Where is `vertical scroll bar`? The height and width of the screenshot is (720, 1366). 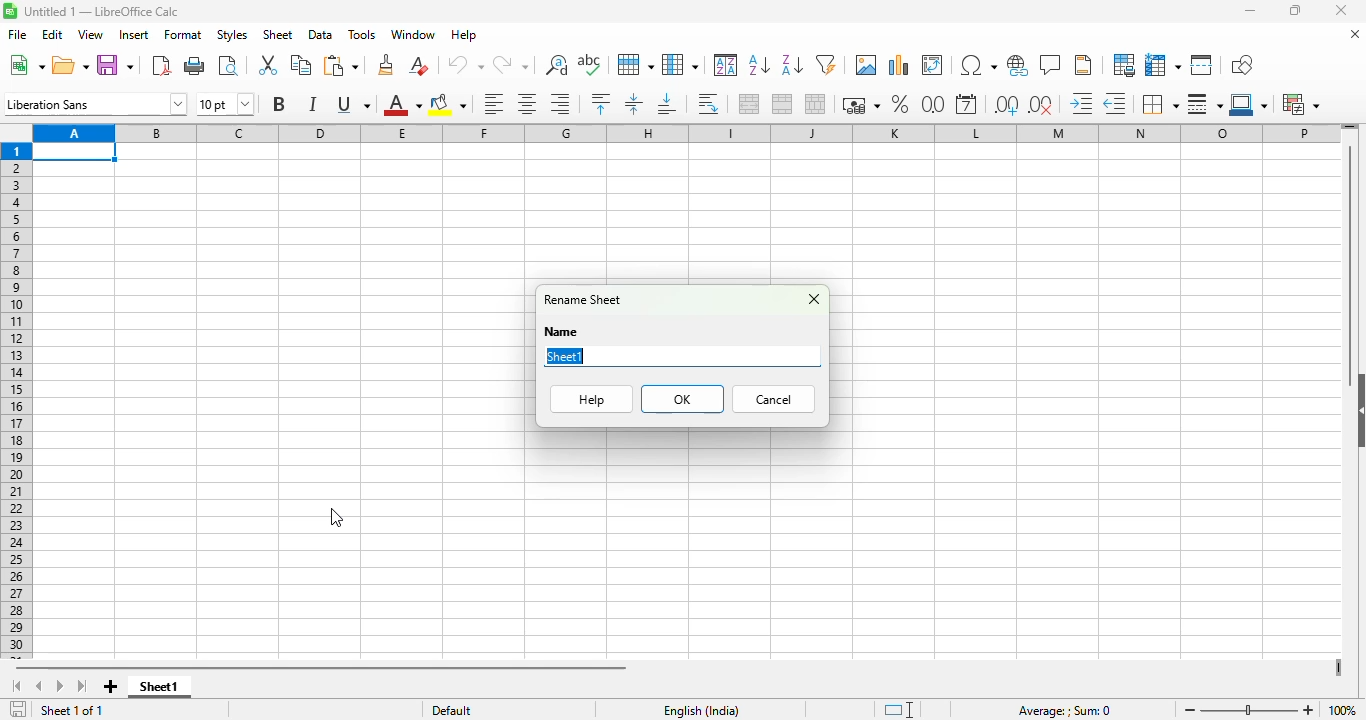 vertical scroll bar is located at coordinates (1352, 257).